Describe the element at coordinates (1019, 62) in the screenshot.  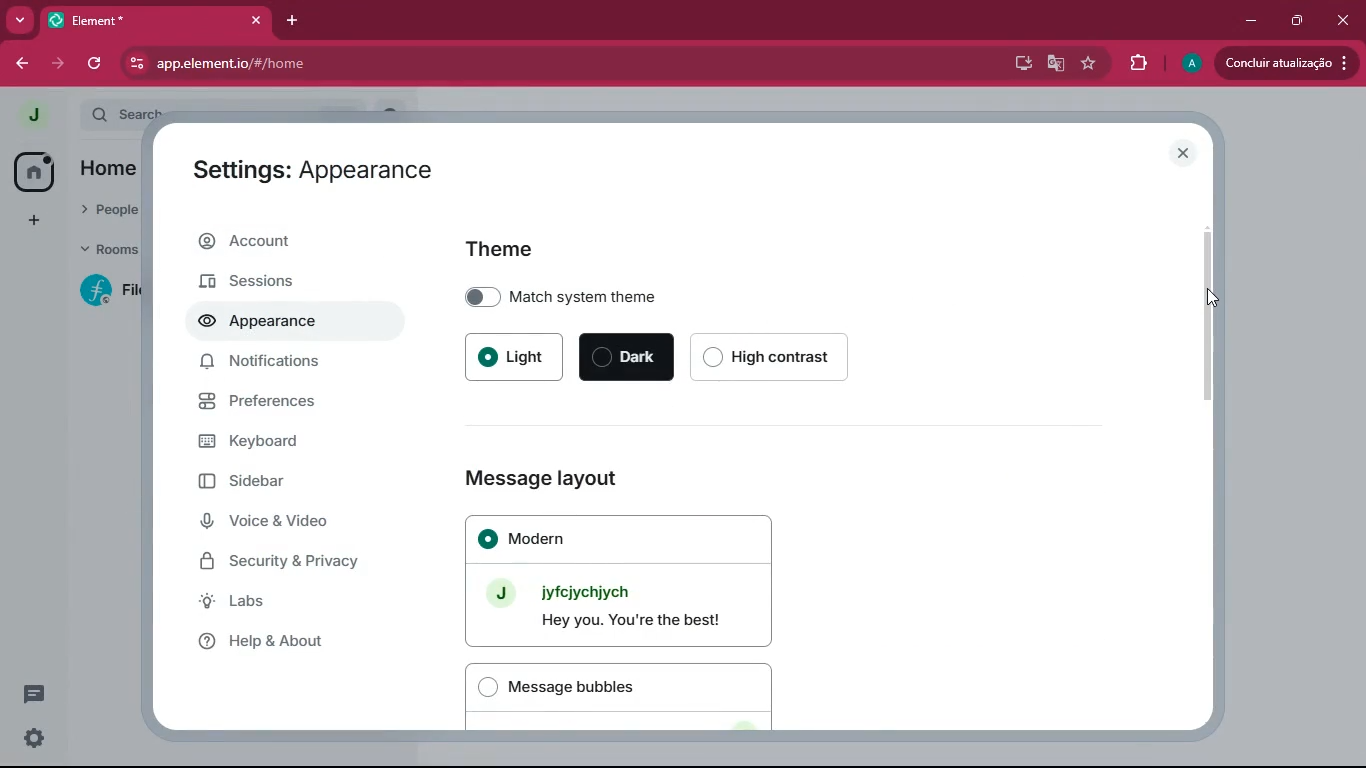
I see `desktop` at that location.